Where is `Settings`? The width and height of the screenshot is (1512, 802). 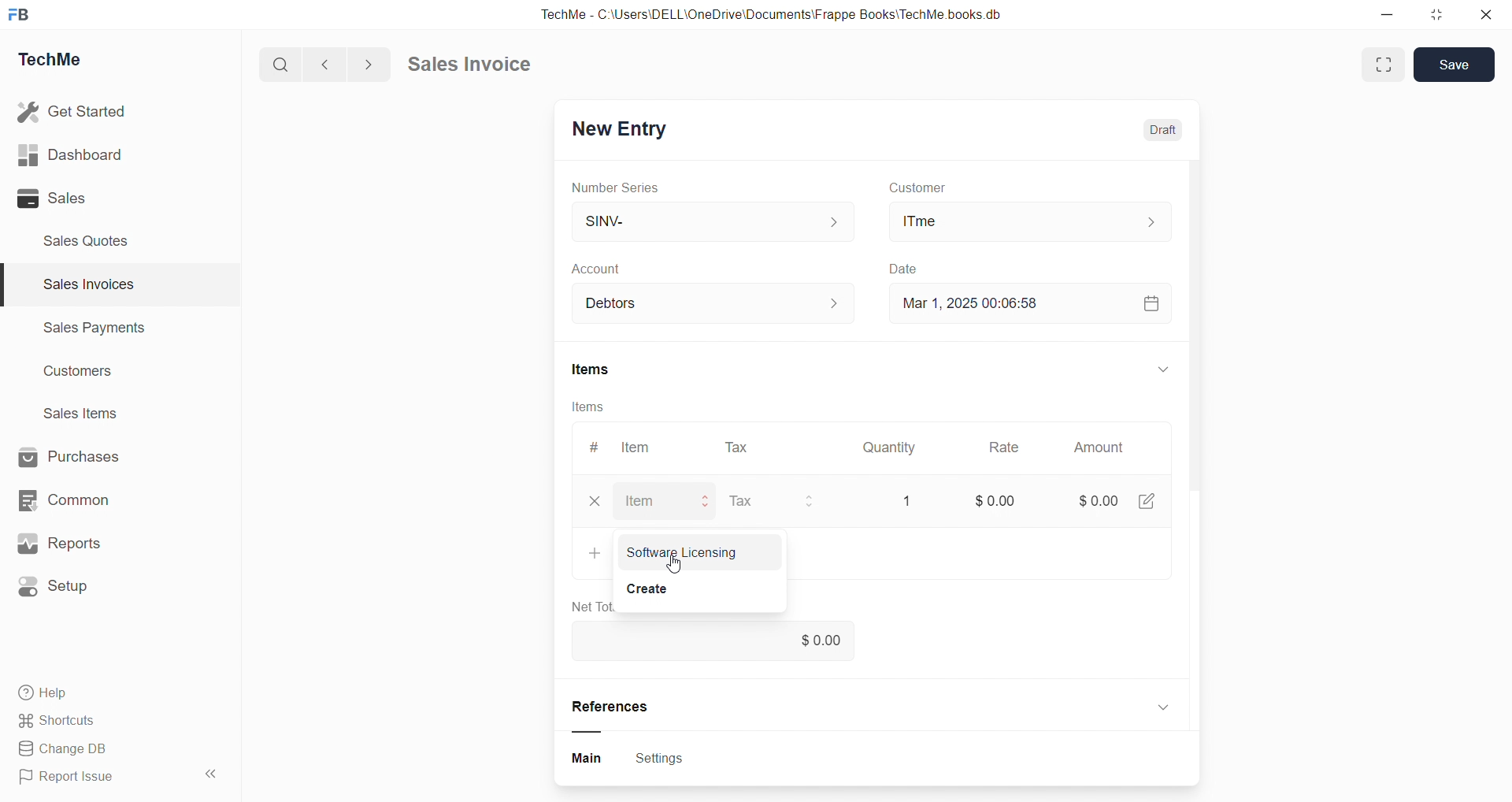
Settings is located at coordinates (669, 759).